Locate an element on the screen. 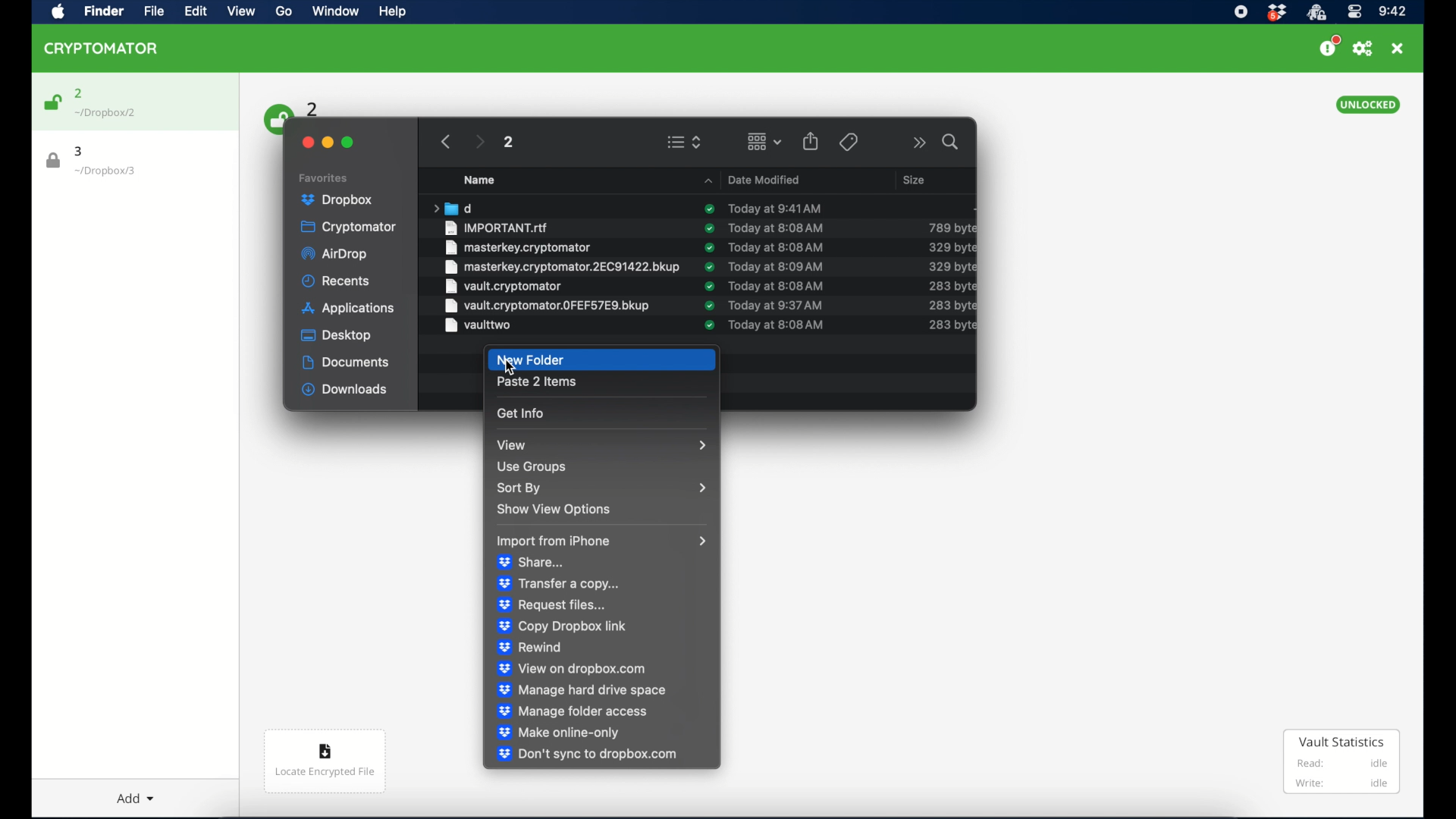  2 is located at coordinates (79, 93).